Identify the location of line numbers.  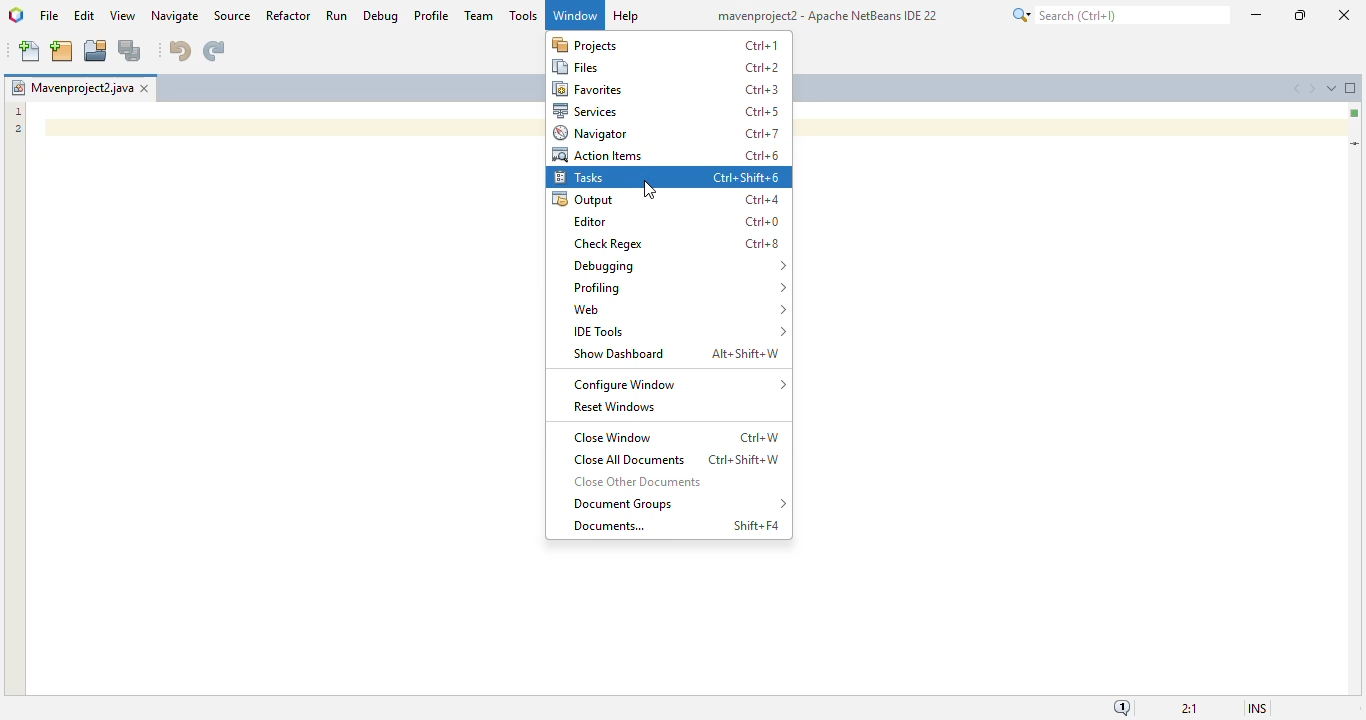
(17, 119).